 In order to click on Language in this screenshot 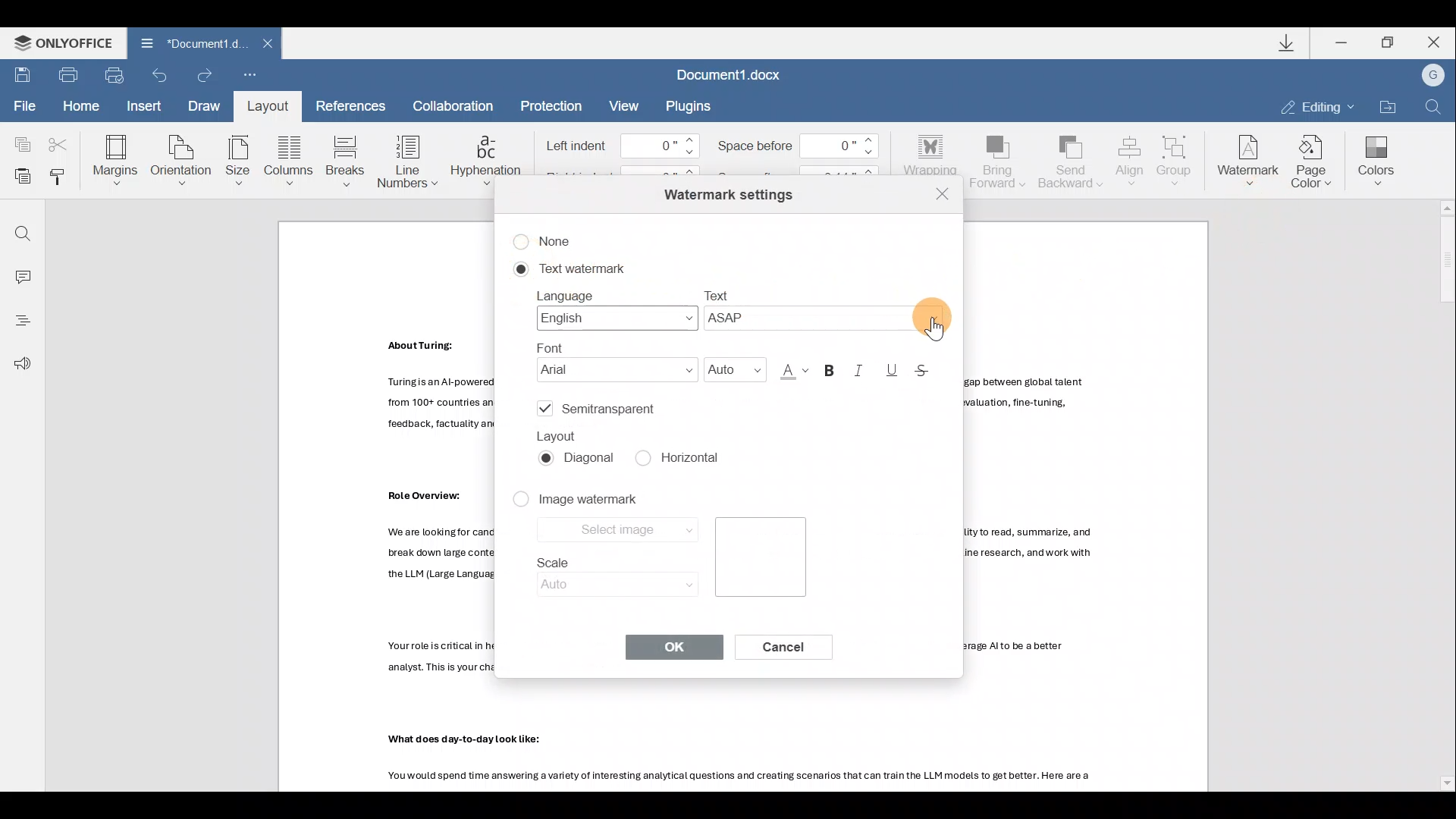, I will do `click(610, 308)`.